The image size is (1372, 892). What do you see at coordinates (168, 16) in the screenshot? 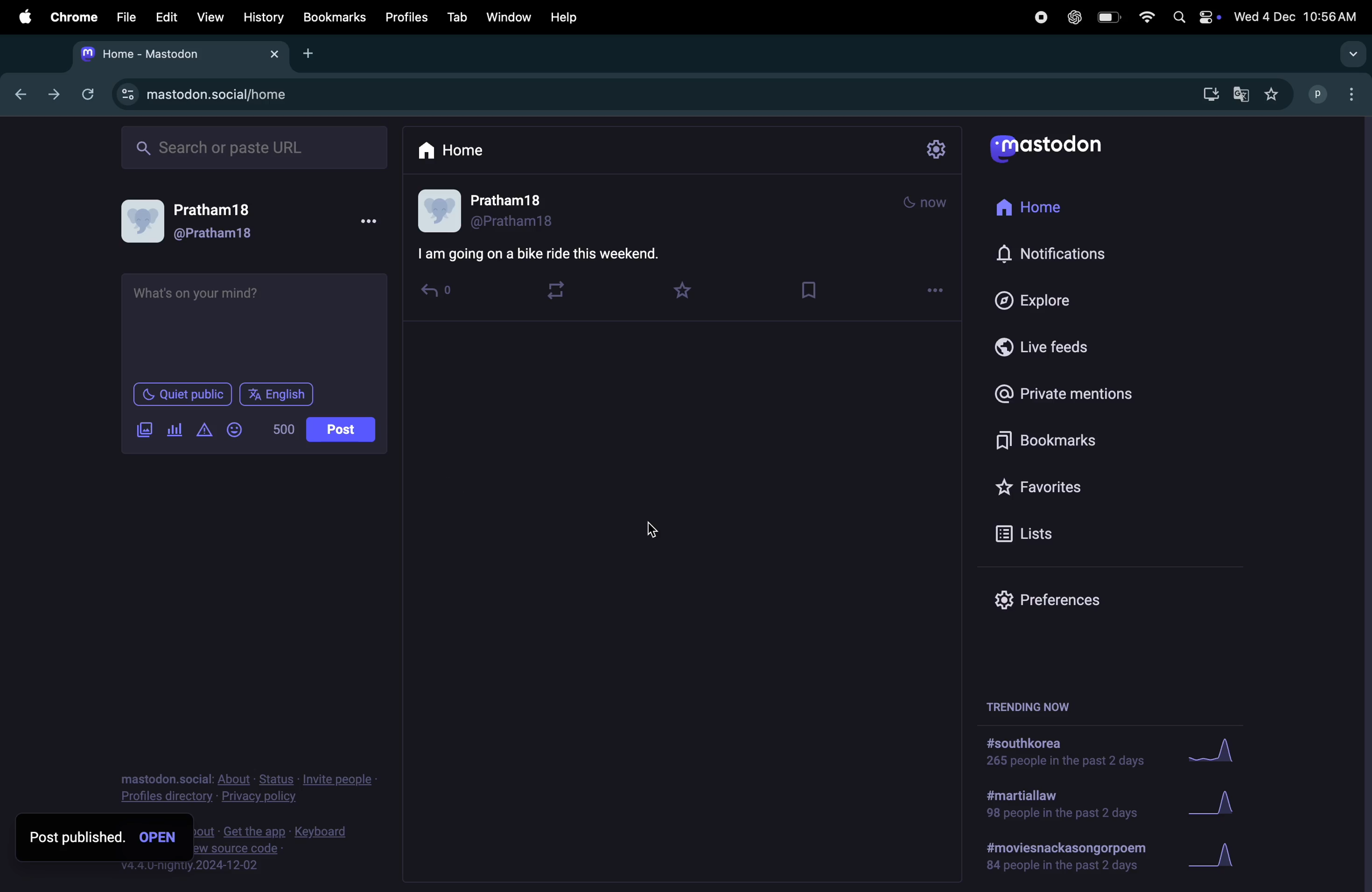
I see `Edit` at bounding box center [168, 16].